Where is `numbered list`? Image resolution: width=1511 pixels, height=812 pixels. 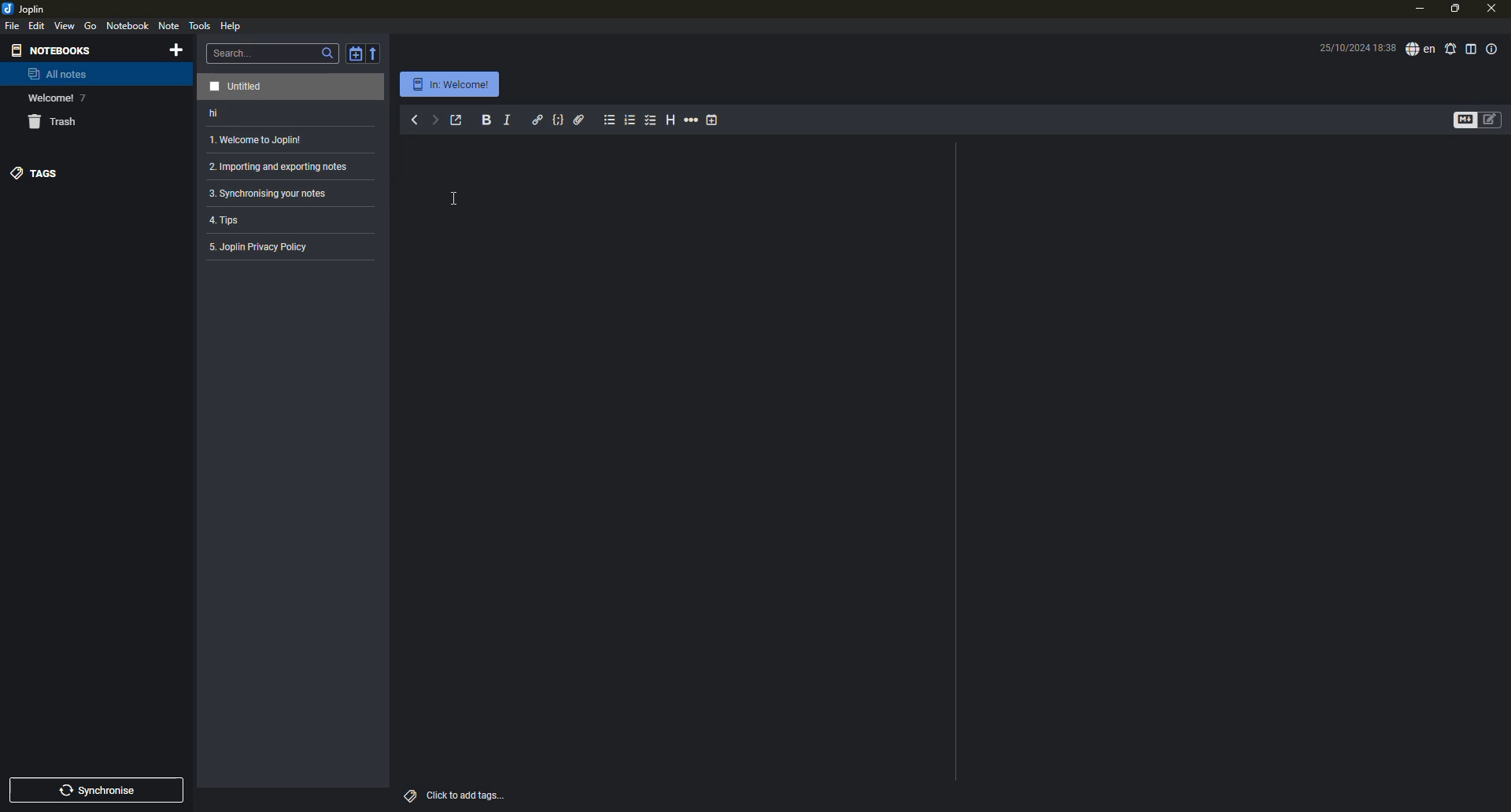
numbered list is located at coordinates (630, 120).